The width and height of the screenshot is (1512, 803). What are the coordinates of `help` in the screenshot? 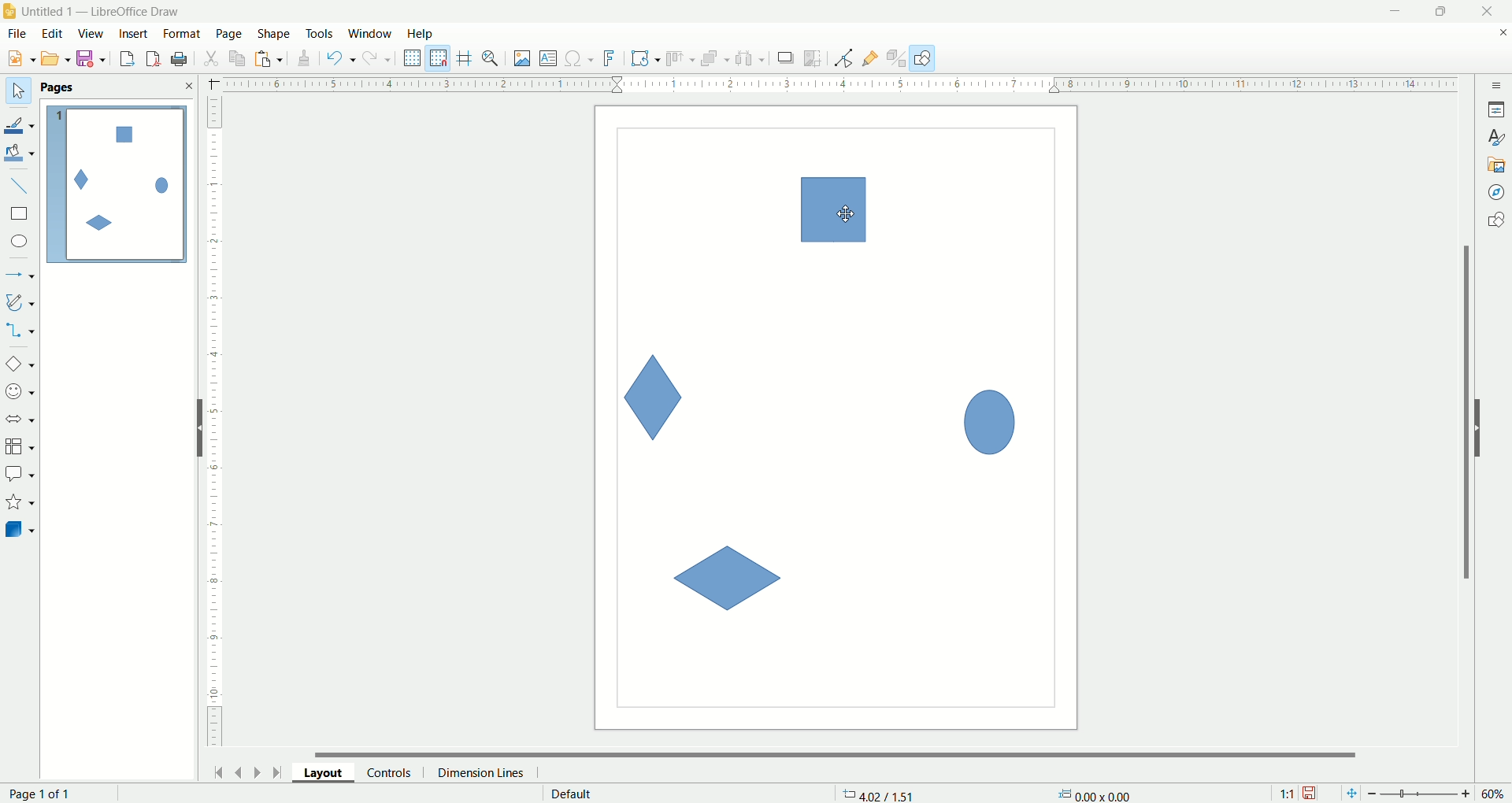 It's located at (421, 34).